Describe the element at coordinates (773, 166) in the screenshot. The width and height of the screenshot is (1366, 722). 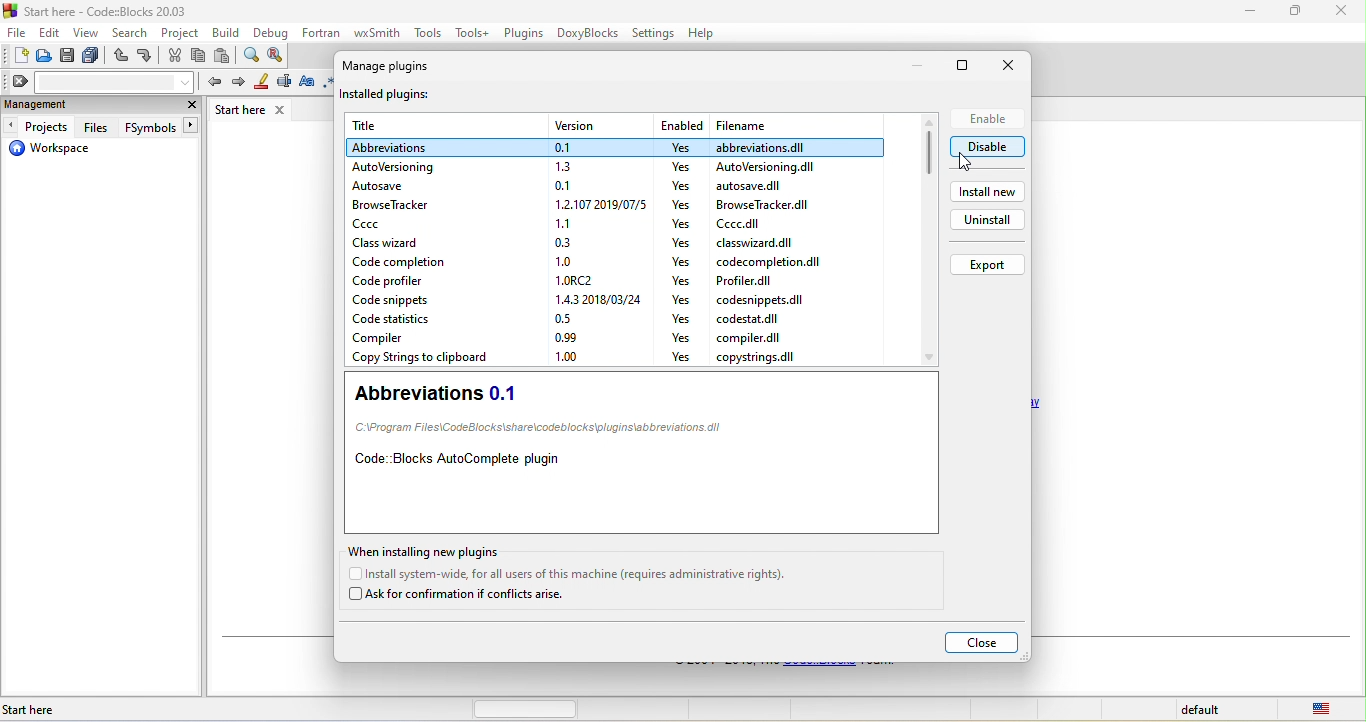
I see `file` at that location.